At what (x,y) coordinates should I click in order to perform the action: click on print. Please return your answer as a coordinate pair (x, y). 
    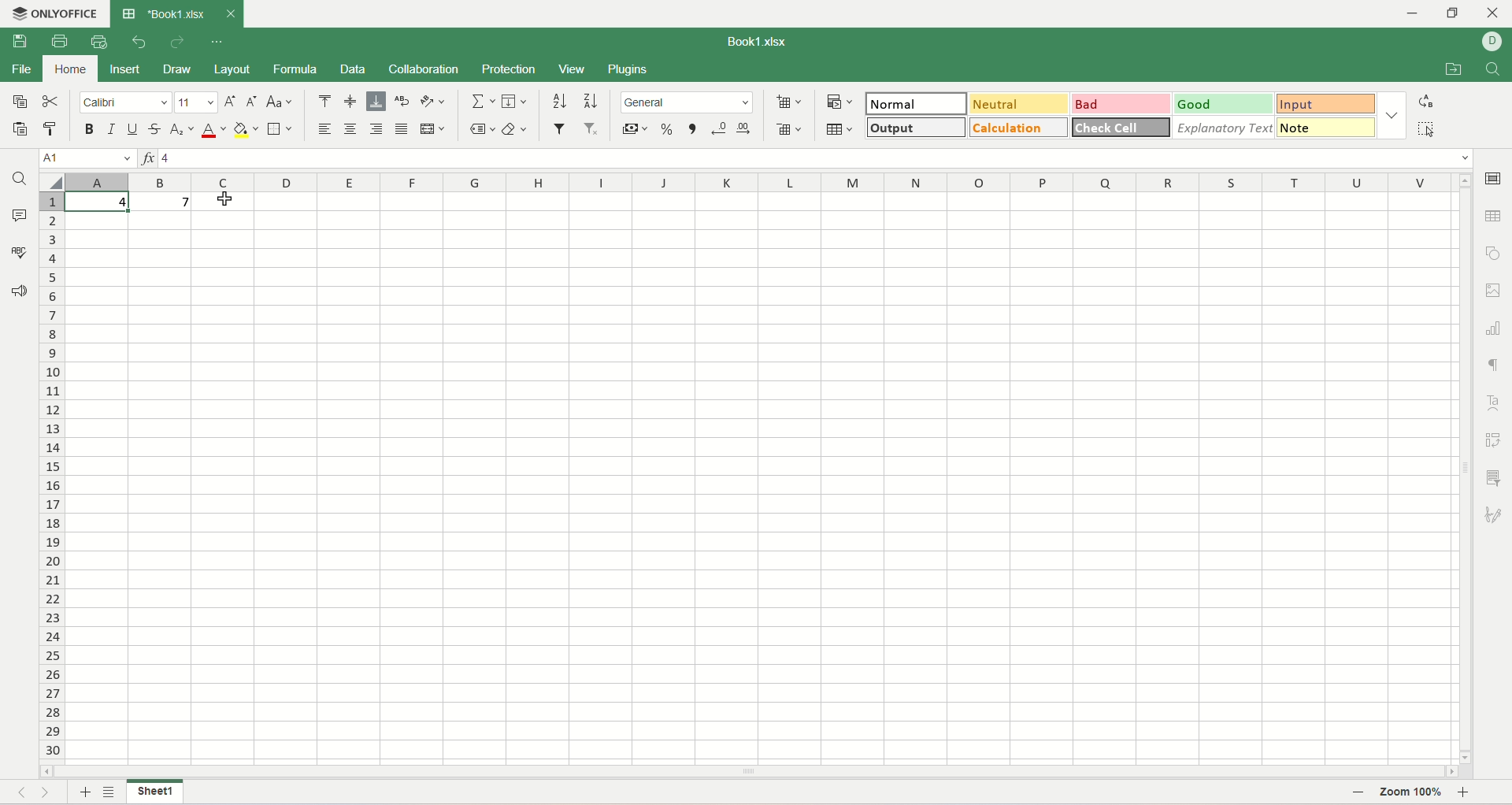
    Looking at the image, I should click on (60, 39).